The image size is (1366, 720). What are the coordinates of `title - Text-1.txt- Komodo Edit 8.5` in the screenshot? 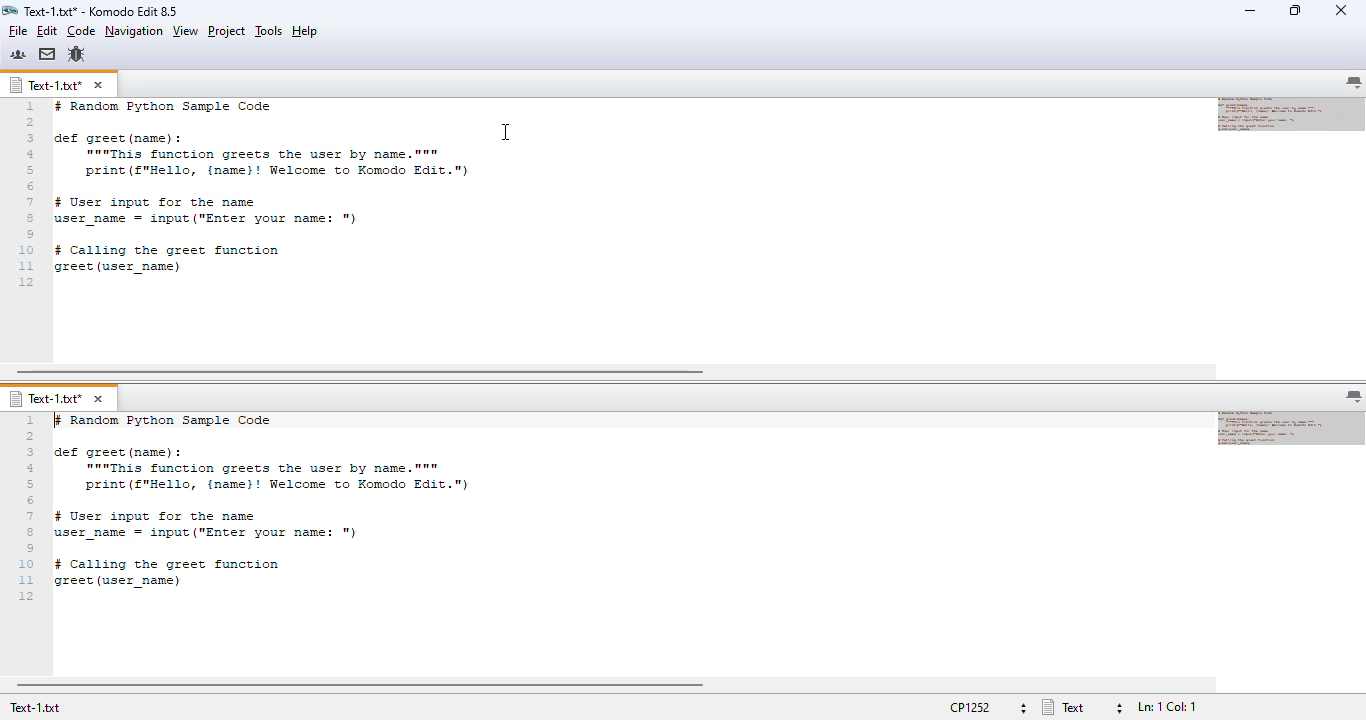 It's located at (102, 10).